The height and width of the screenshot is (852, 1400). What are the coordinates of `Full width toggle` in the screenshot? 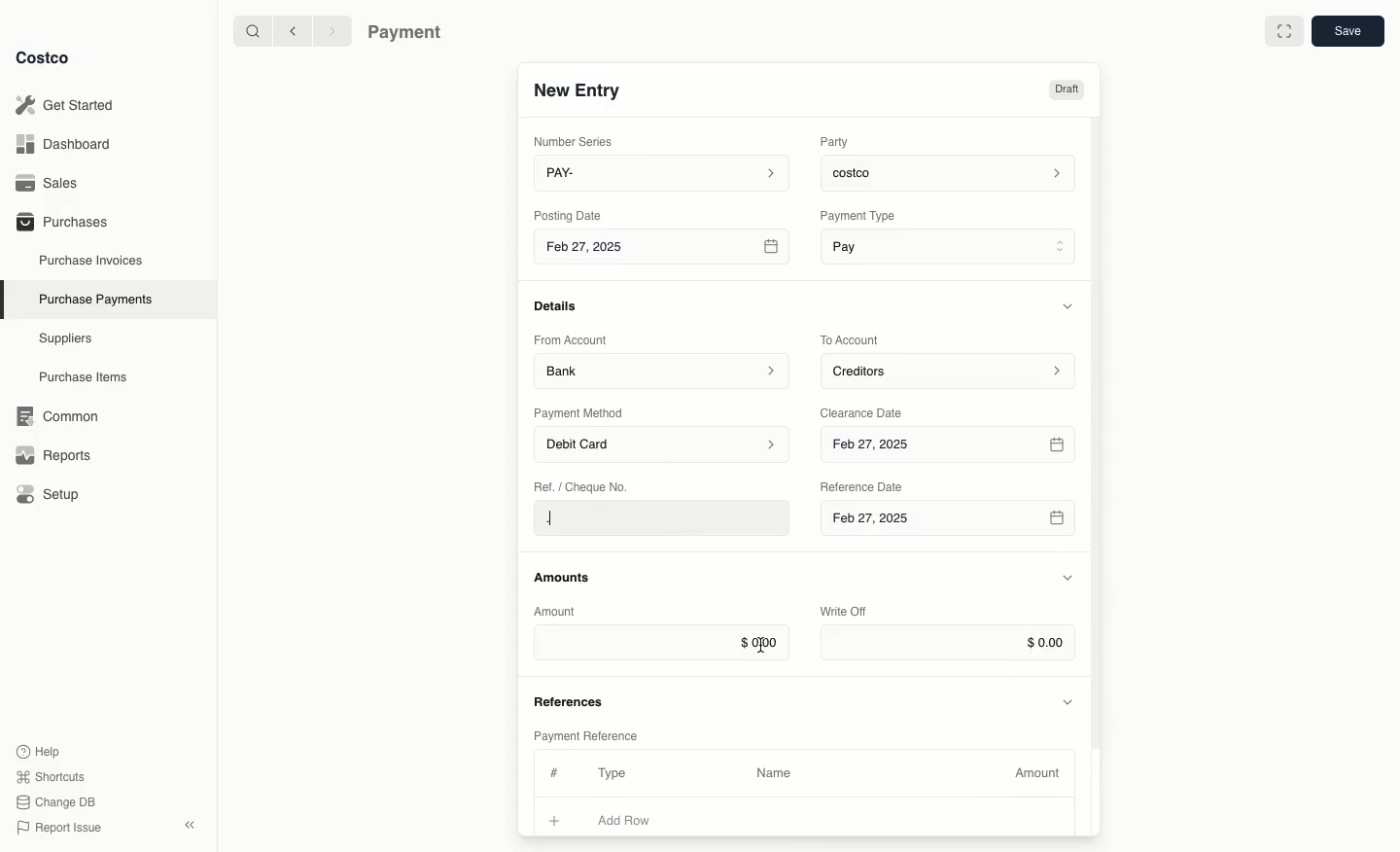 It's located at (1284, 34).